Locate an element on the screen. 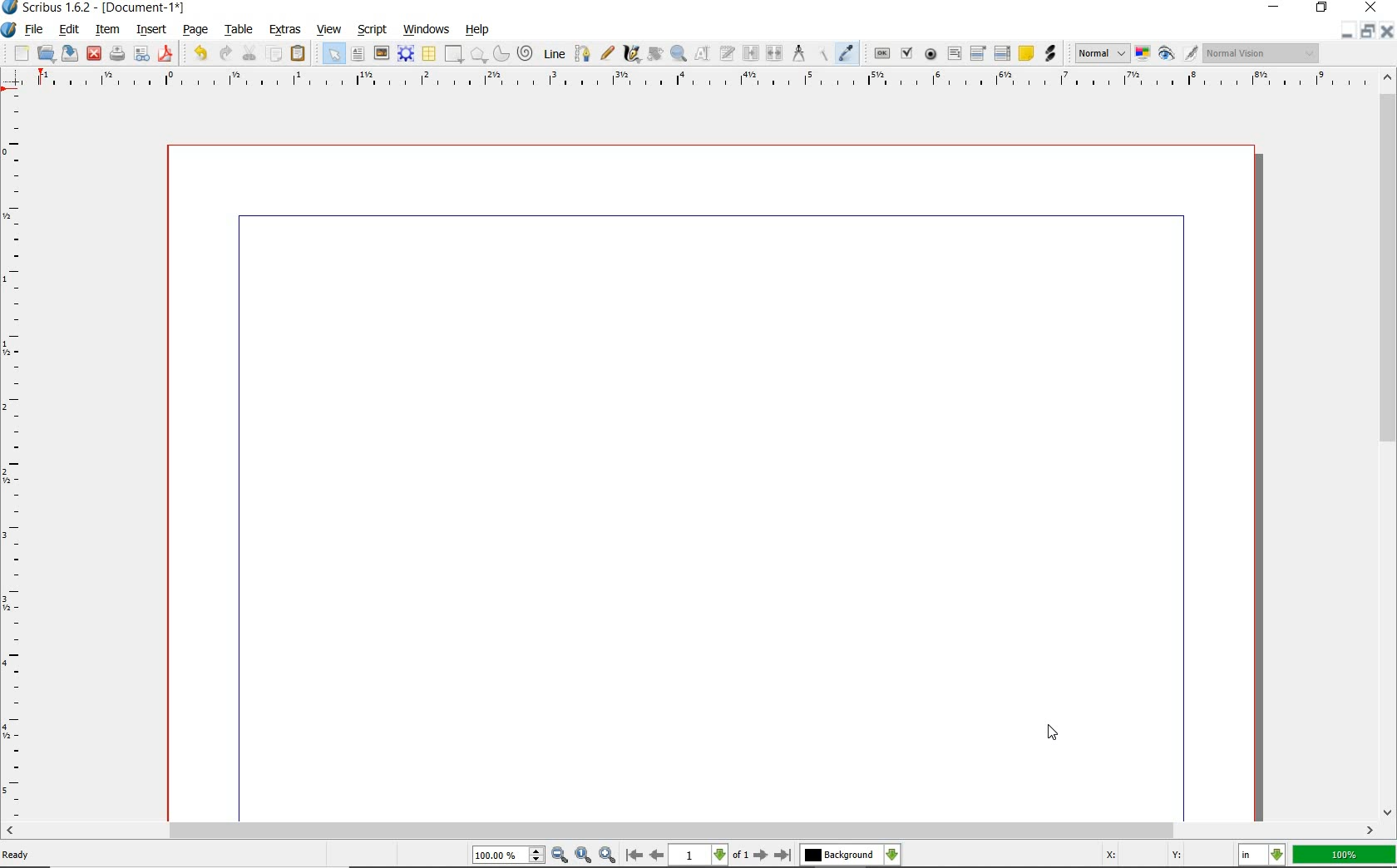  edit text with story editor is located at coordinates (728, 52).